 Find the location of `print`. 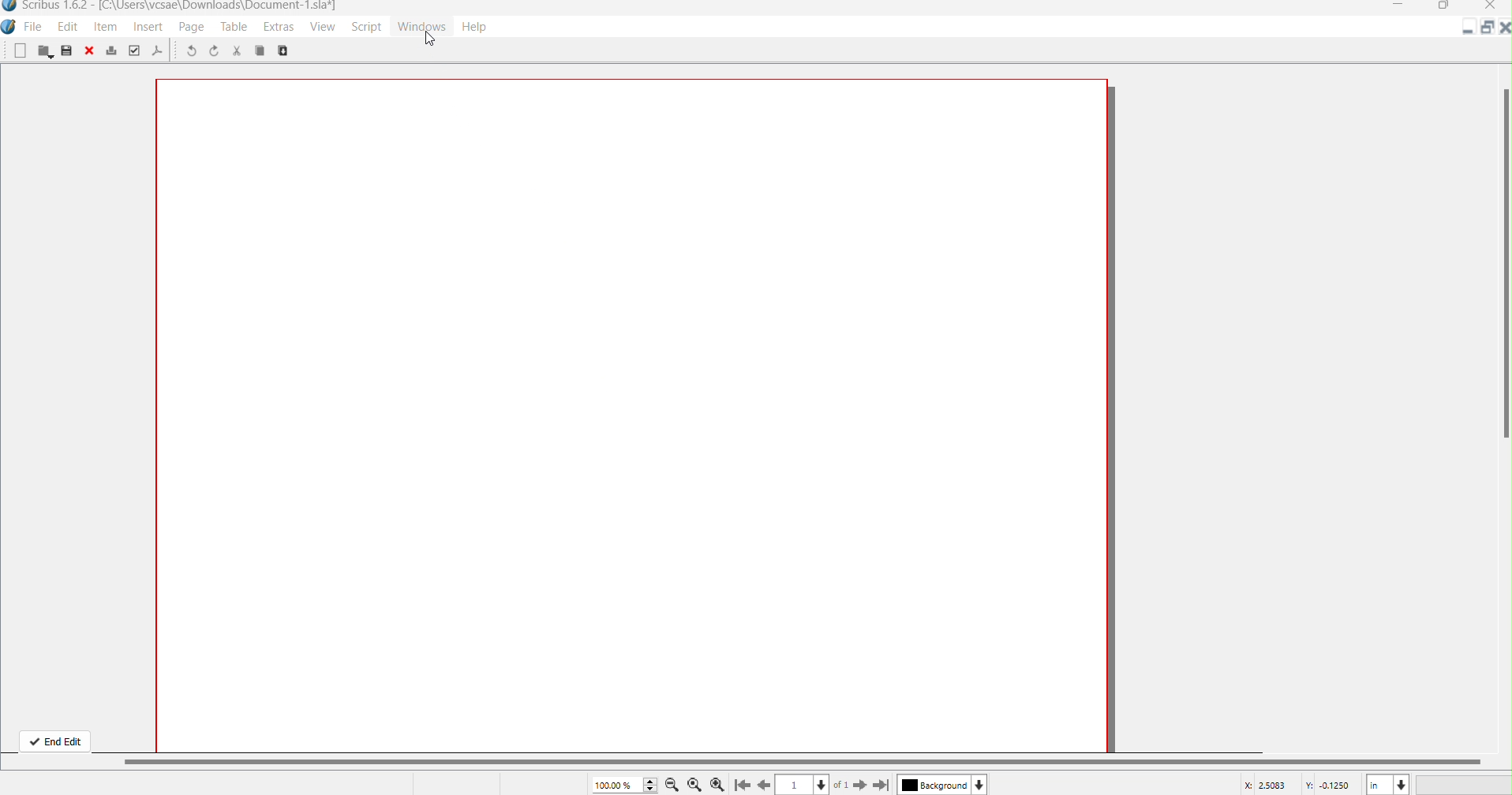

print is located at coordinates (112, 50).